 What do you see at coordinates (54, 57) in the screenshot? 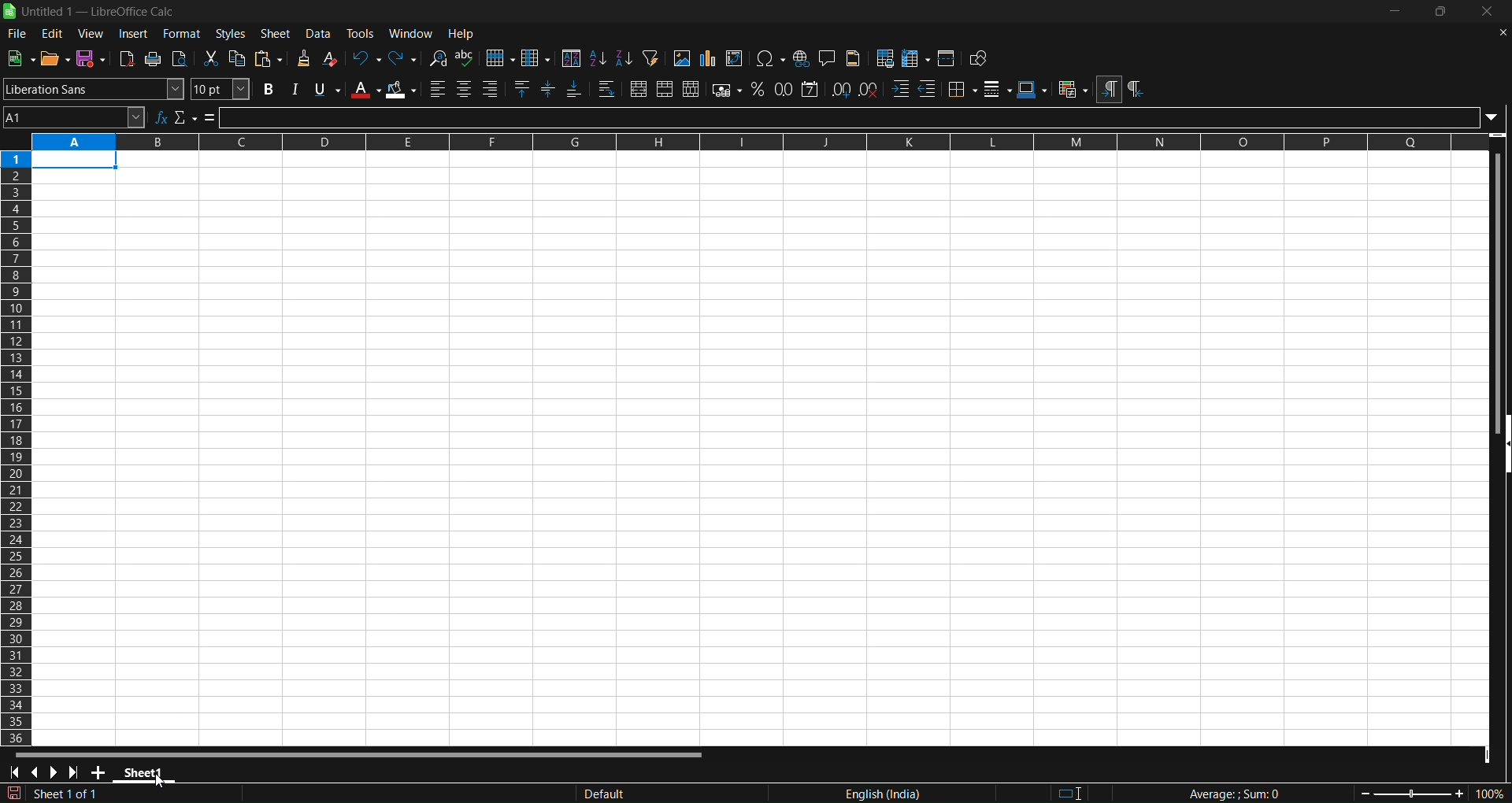
I see `open` at bounding box center [54, 57].